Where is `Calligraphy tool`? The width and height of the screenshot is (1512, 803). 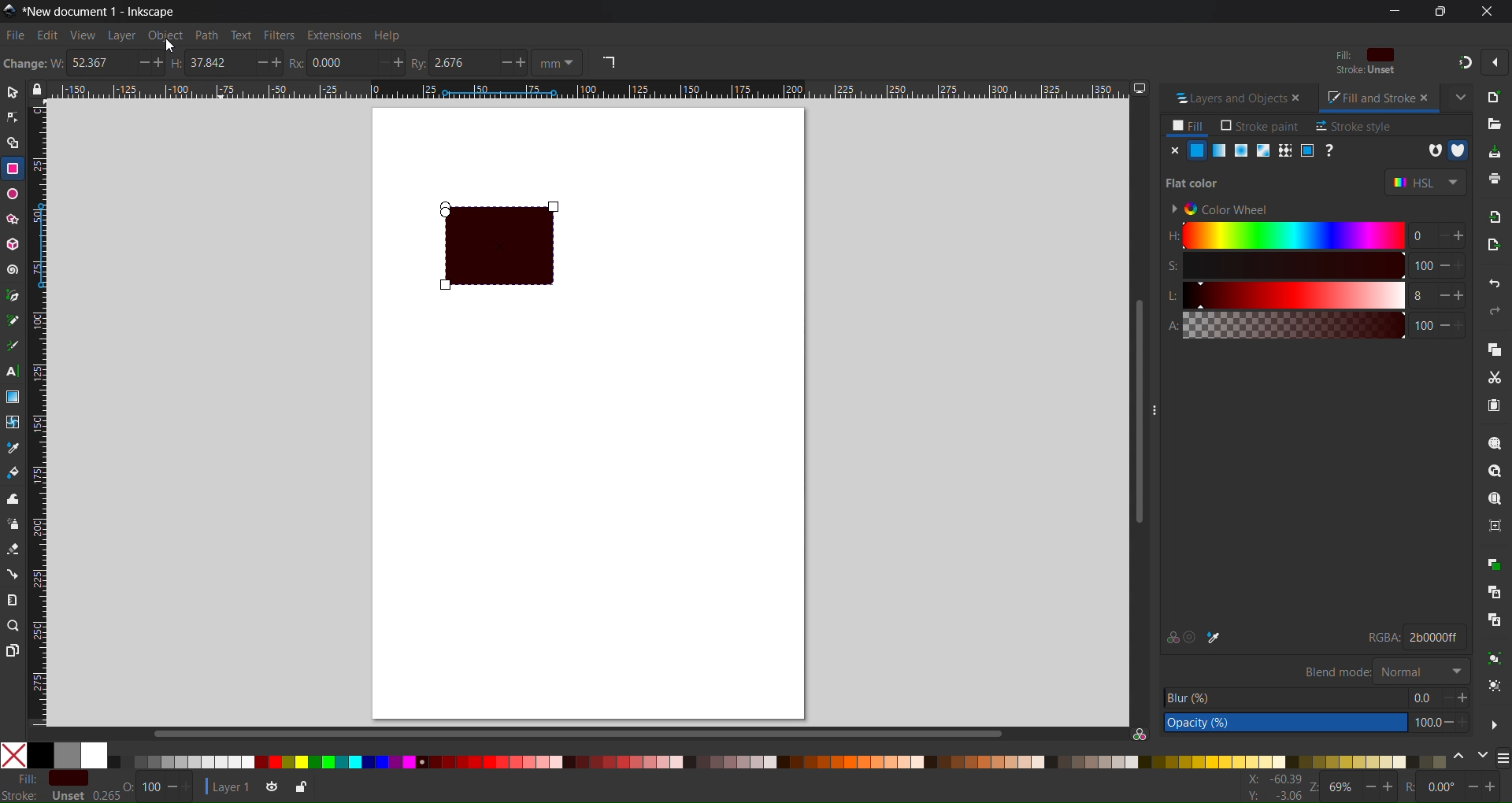
Calligraphy tool is located at coordinates (13, 343).